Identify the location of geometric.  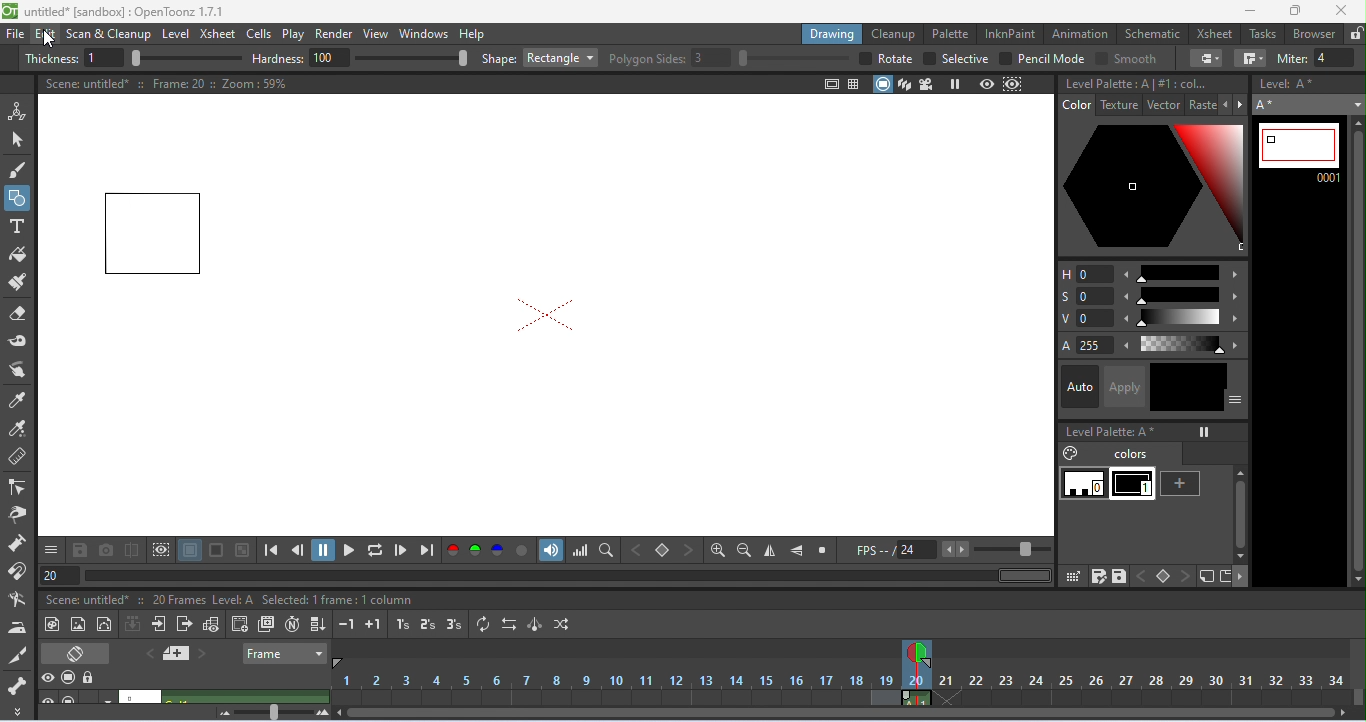
(18, 199).